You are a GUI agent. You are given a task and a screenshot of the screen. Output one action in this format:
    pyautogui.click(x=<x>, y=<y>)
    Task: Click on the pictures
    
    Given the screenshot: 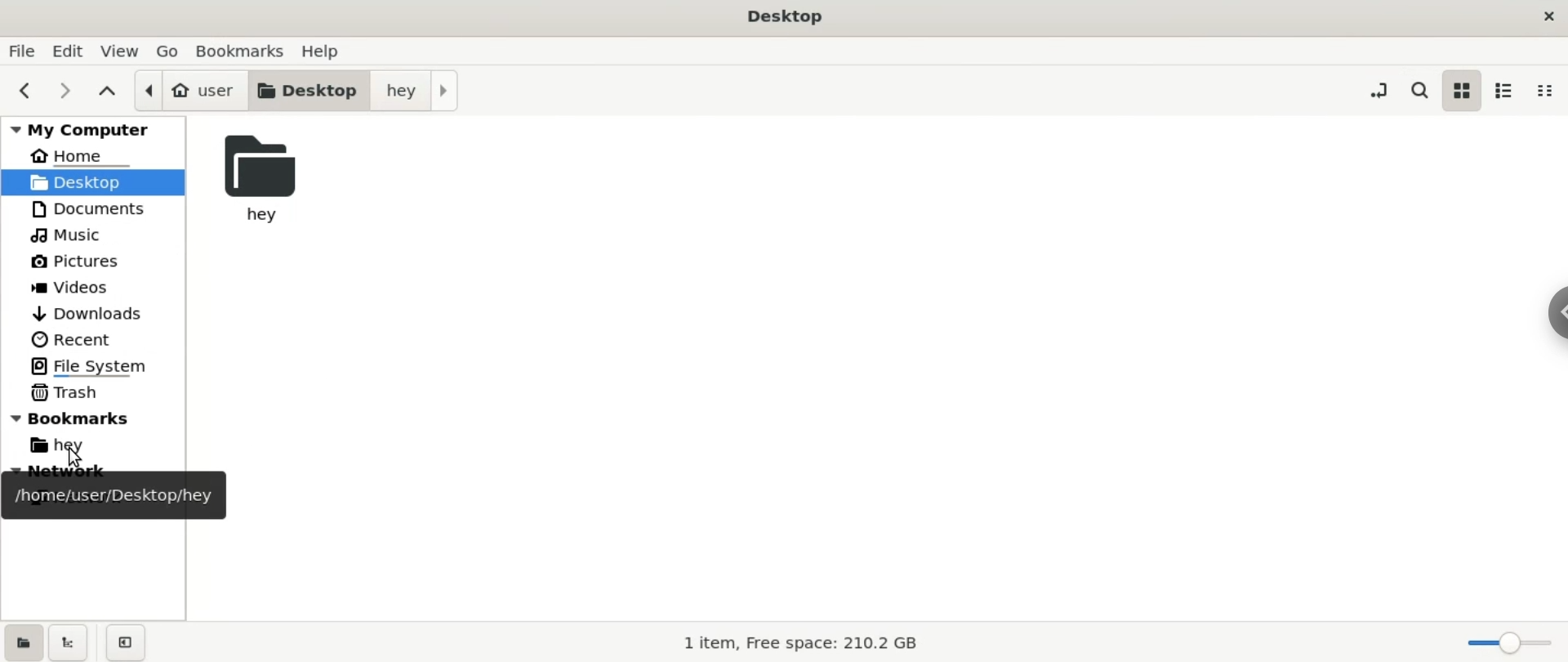 What is the action you would take?
    pyautogui.click(x=71, y=260)
    